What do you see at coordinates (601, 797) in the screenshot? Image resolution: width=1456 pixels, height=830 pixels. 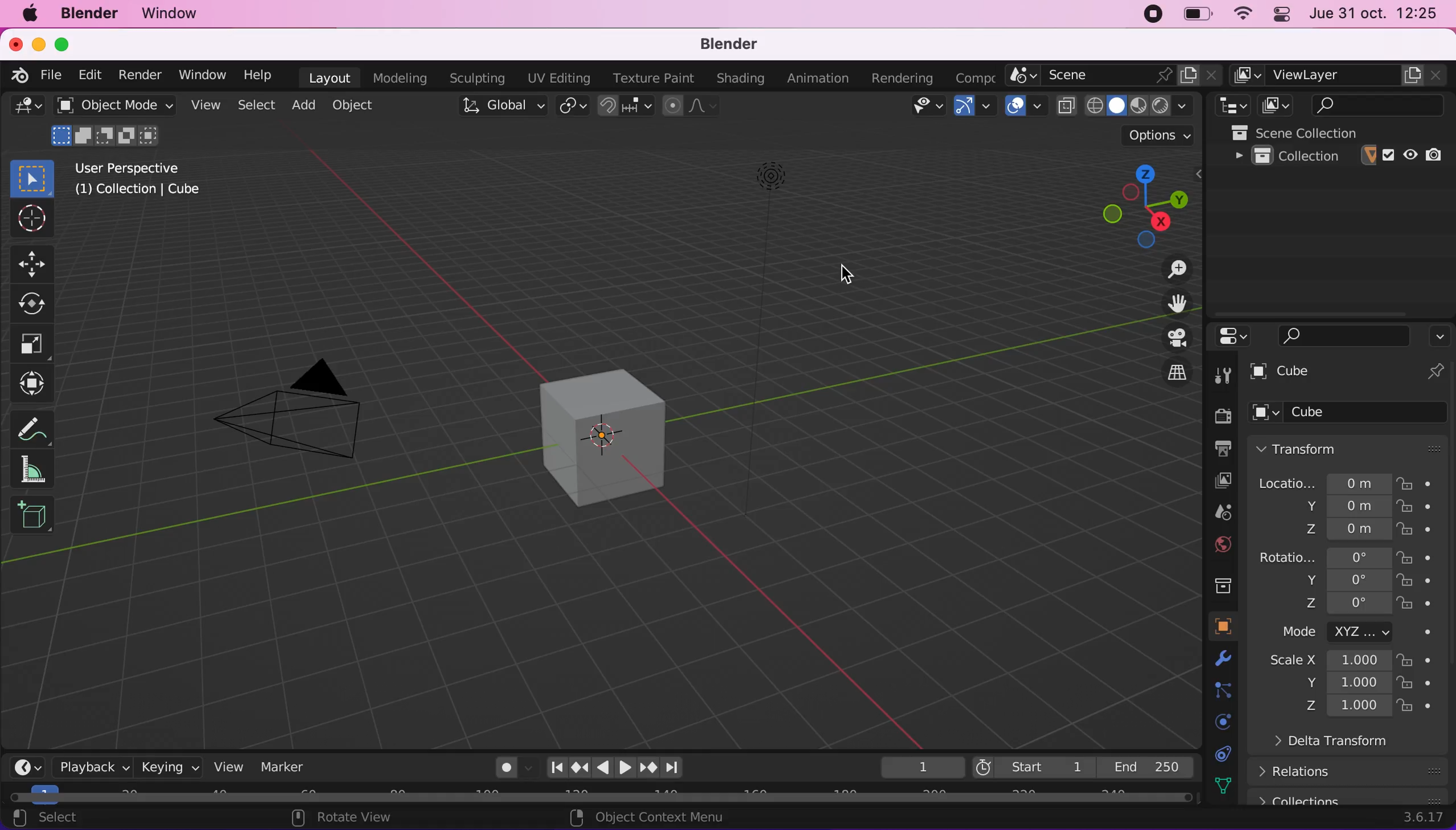 I see `horizontal slider` at bounding box center [601, 797].